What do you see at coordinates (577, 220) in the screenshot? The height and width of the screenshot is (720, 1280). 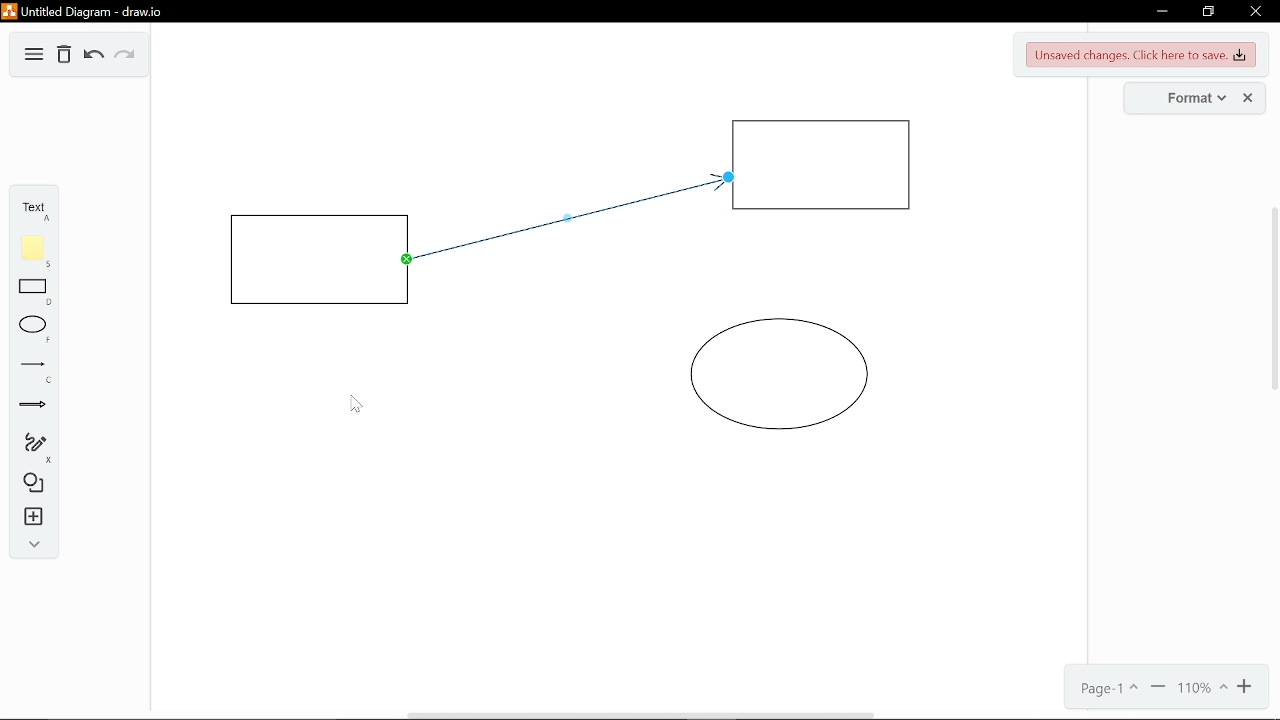 I see `Connector line shifted from circle to rectangle` at bounding box center [577, 220].